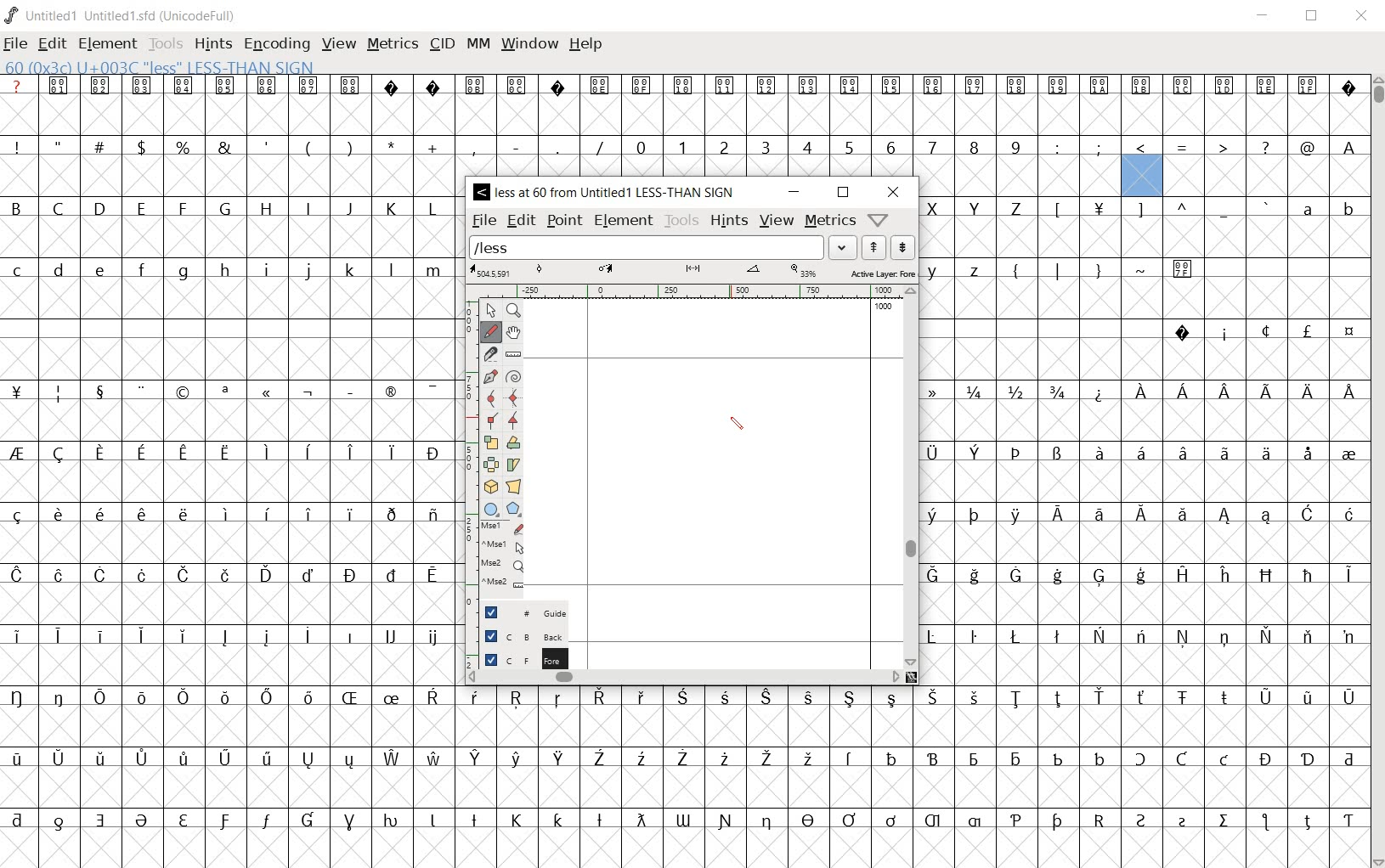 Image resolution: width=1385 pixels, height=868 pixels. Describe the element at coordinates (212, 45) in the screenshot. I see `hints` at that location.